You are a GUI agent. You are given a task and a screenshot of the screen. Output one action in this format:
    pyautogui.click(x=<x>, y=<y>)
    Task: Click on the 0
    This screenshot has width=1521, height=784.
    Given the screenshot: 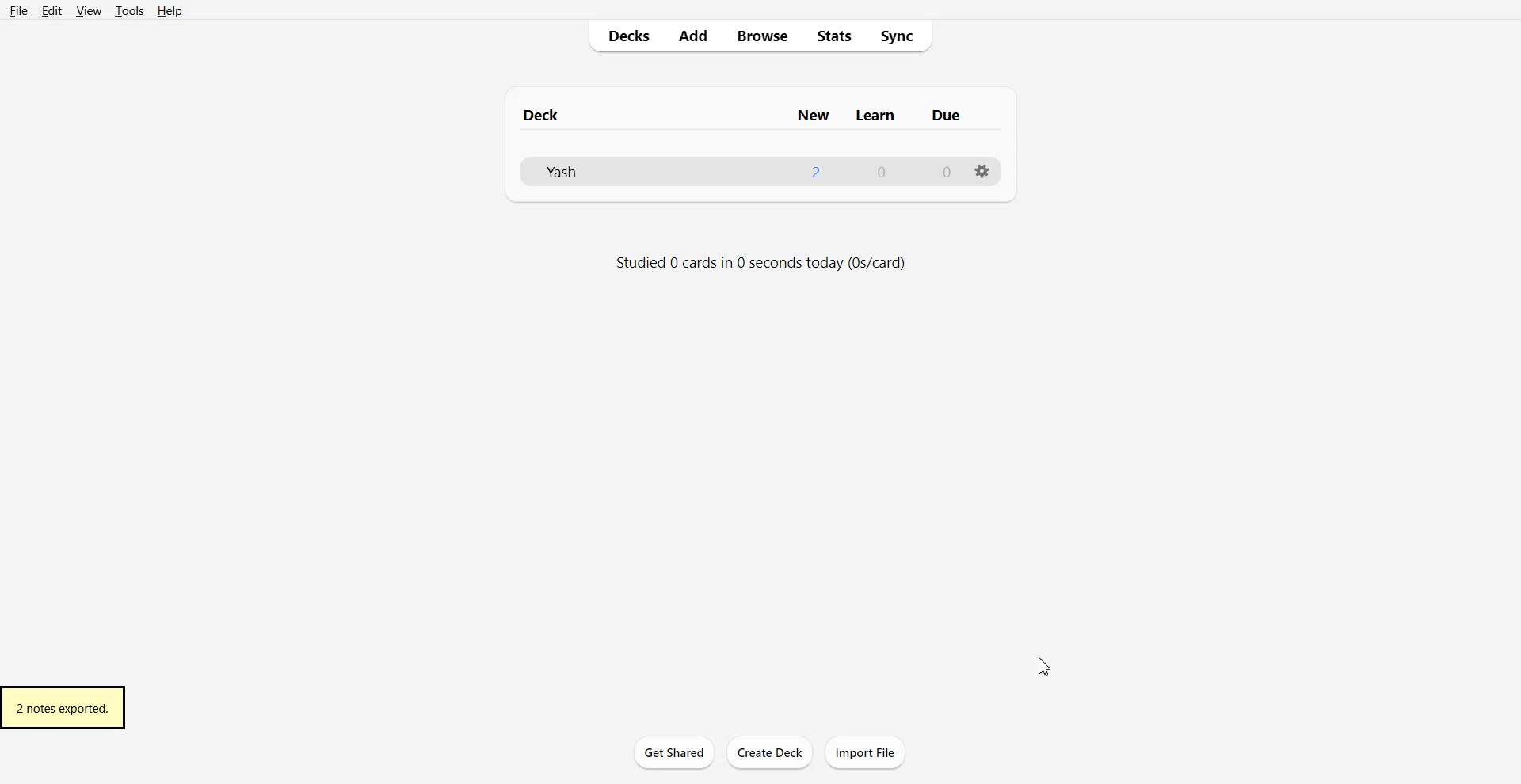 What is the action you would take?
    pyautogui.click(x=945, y=172)
    